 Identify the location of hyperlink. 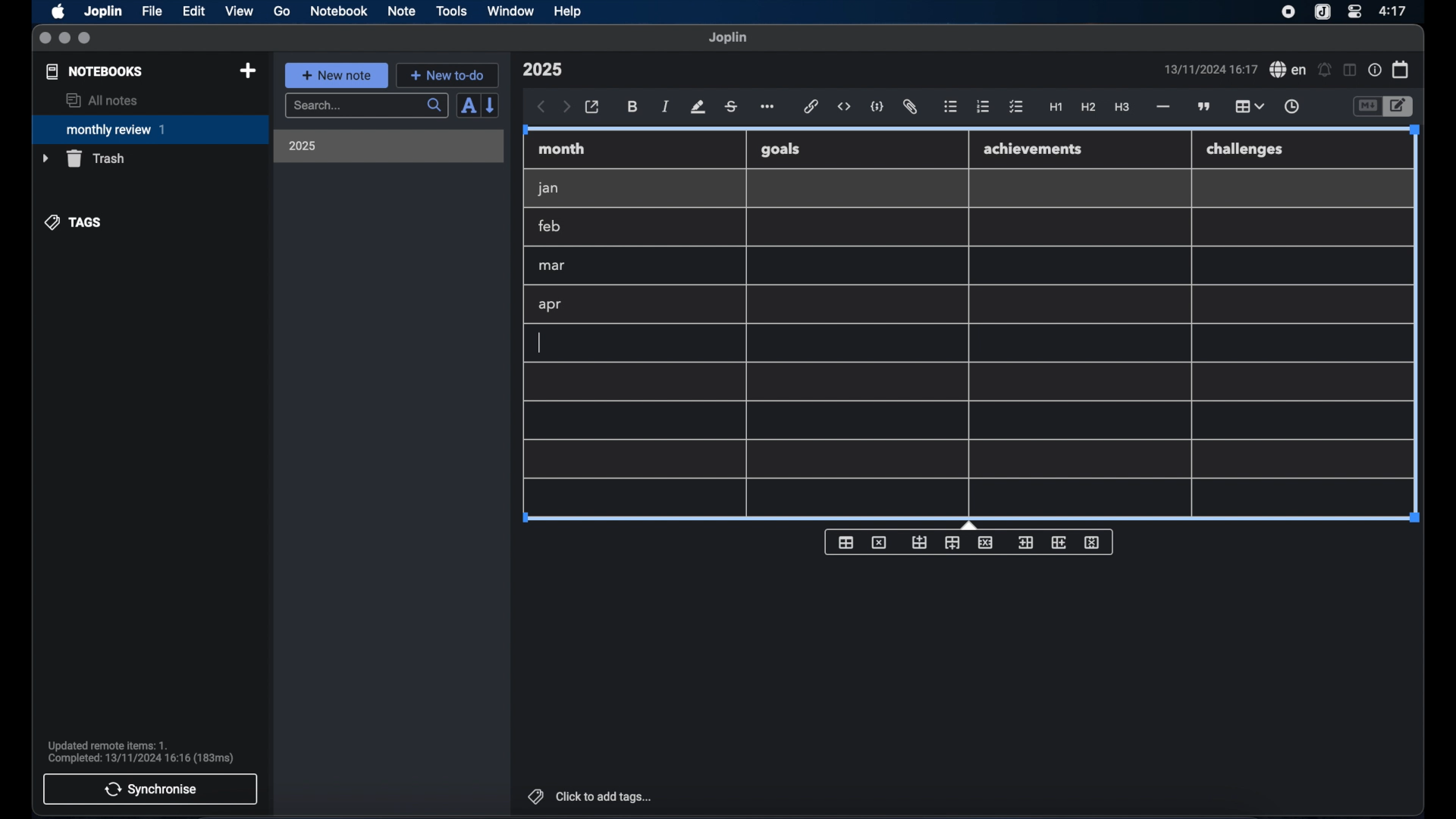
(811, 106).